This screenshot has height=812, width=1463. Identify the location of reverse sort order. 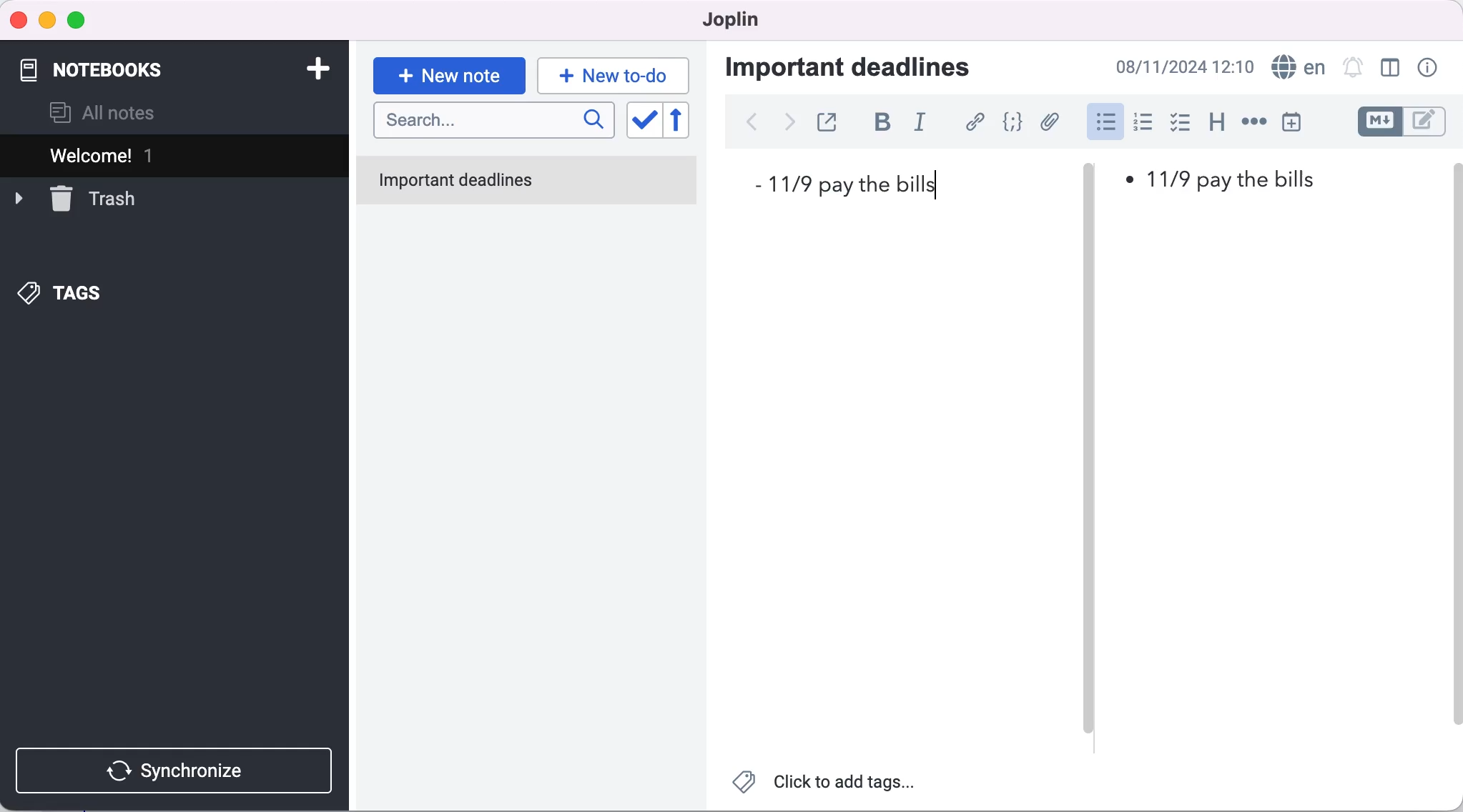
(685, 124).